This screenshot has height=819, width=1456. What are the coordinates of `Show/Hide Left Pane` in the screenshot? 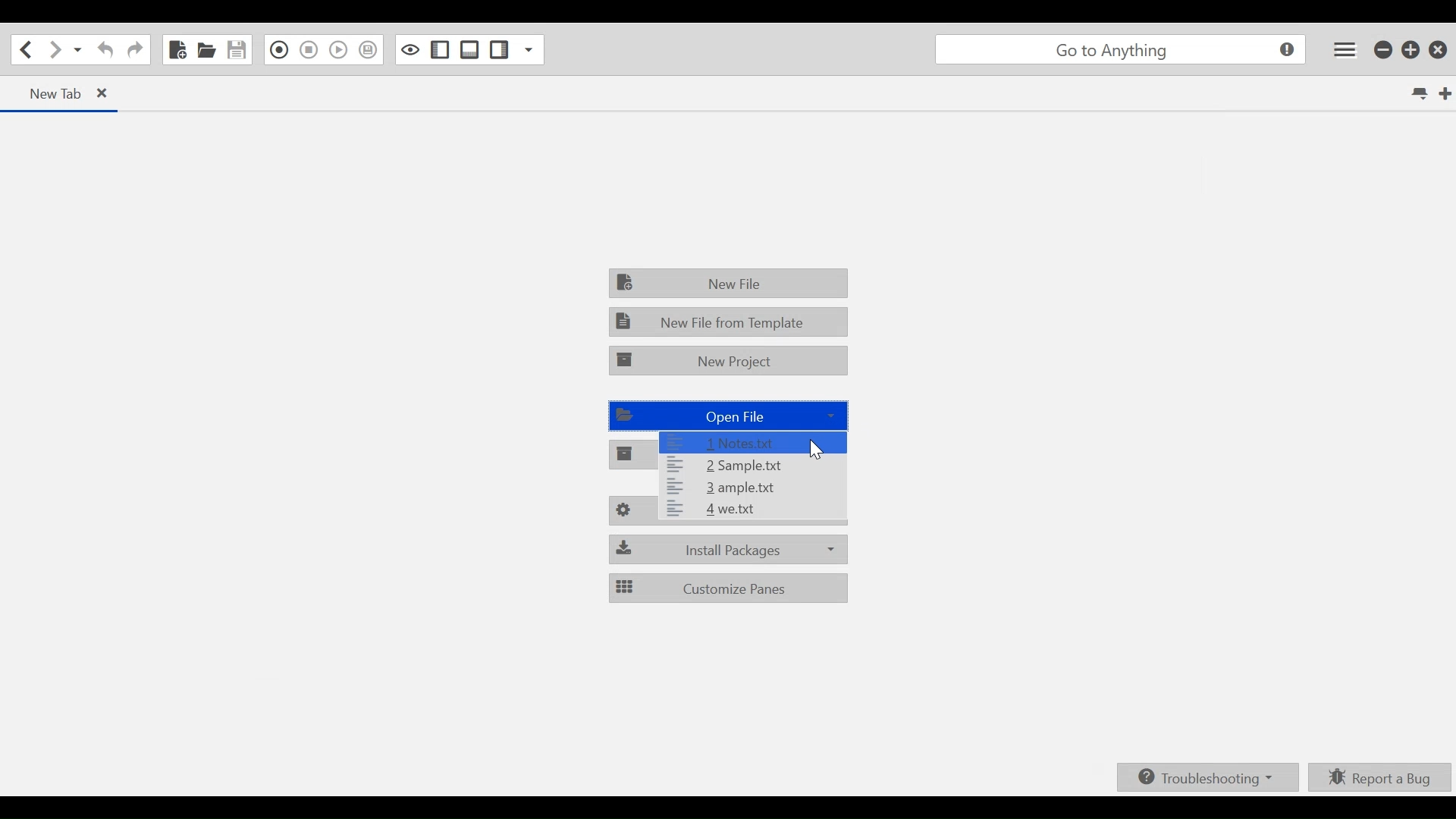 It's located at (498, 49).